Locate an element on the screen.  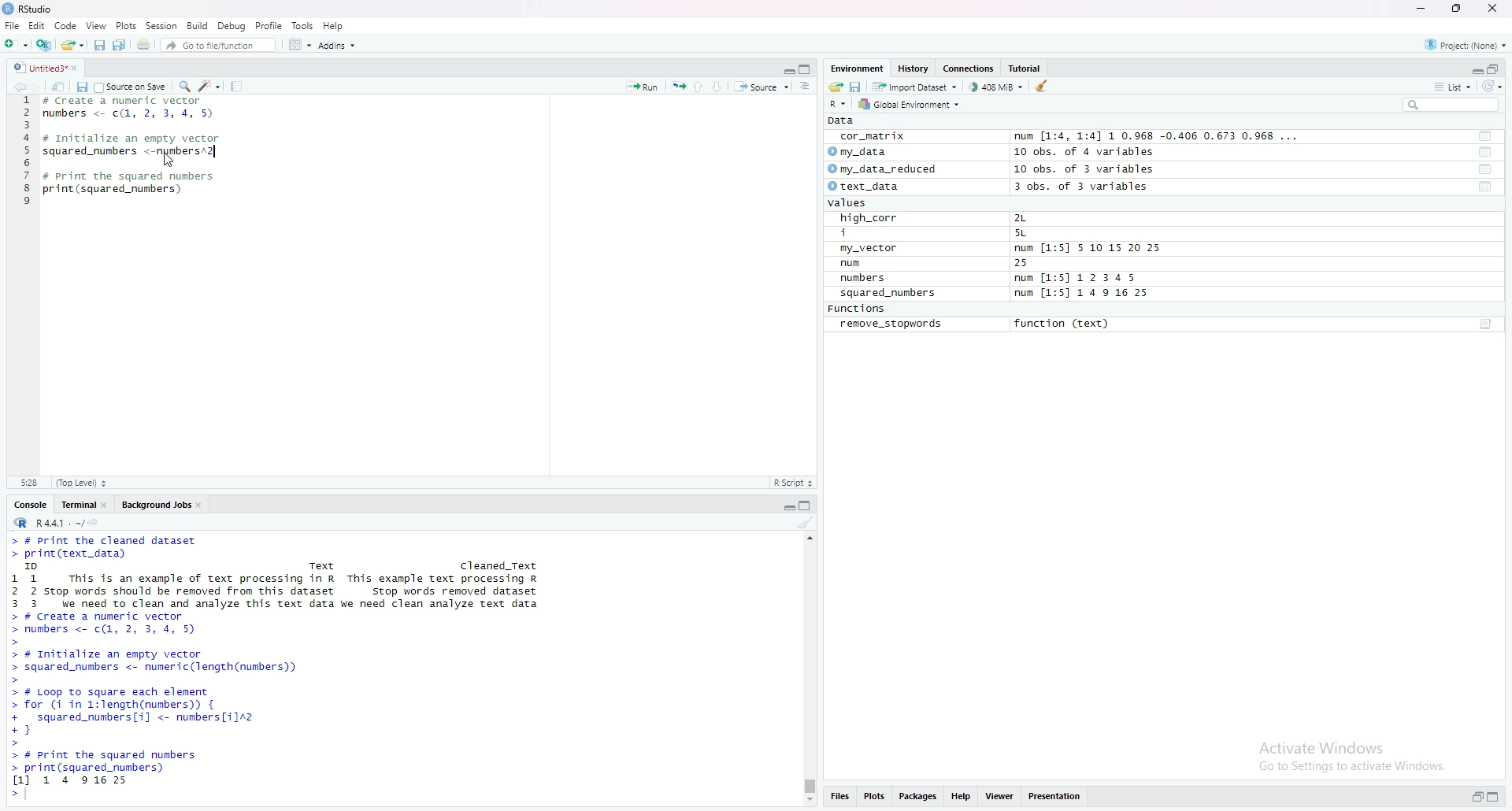
Tools is located at coordinates (303, 25).